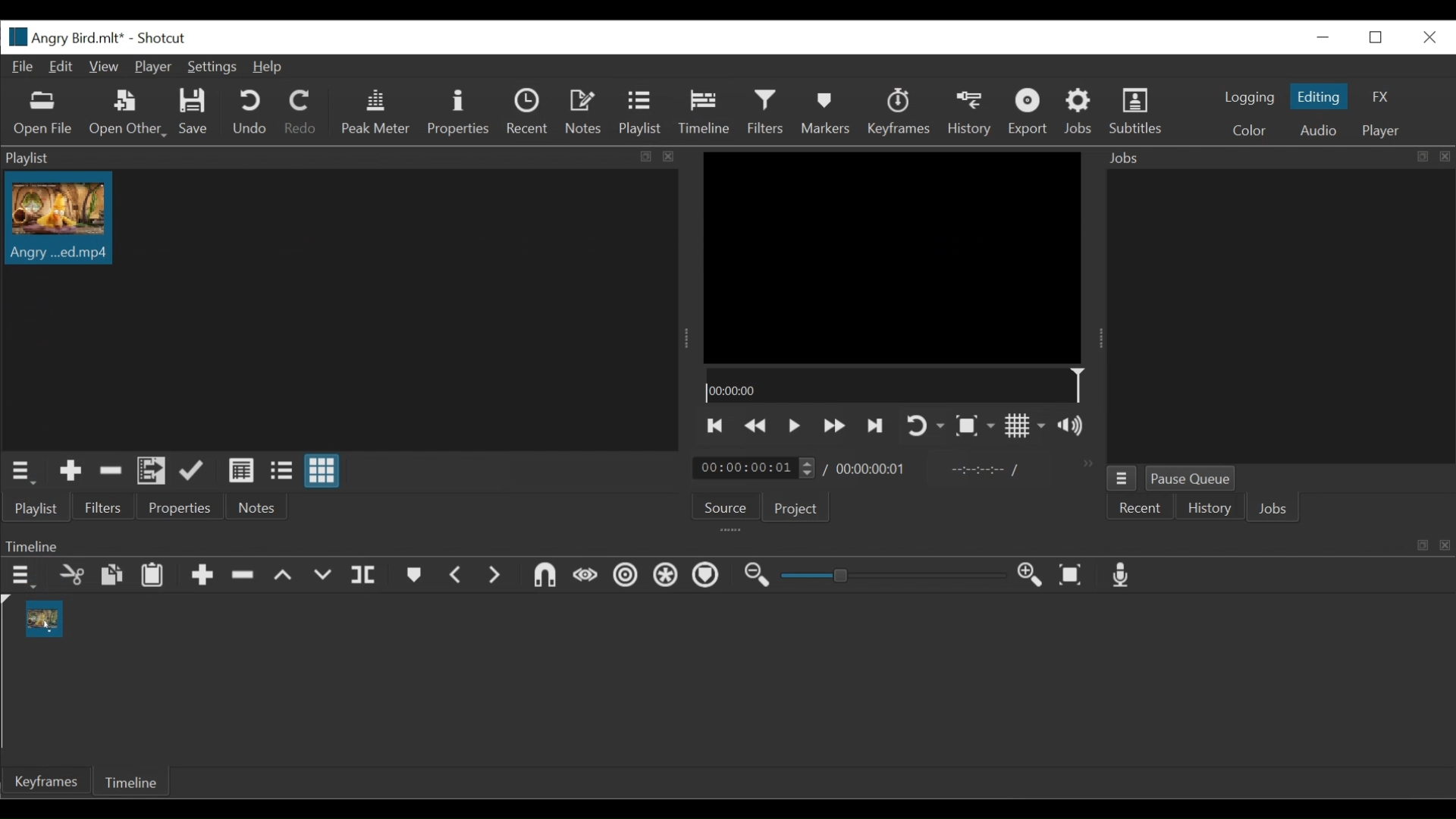 This screenshot has height=819, width=1456. Describe the element at coordinates (21, 577) in the screenshot. I see `Timeline menu` at that location.